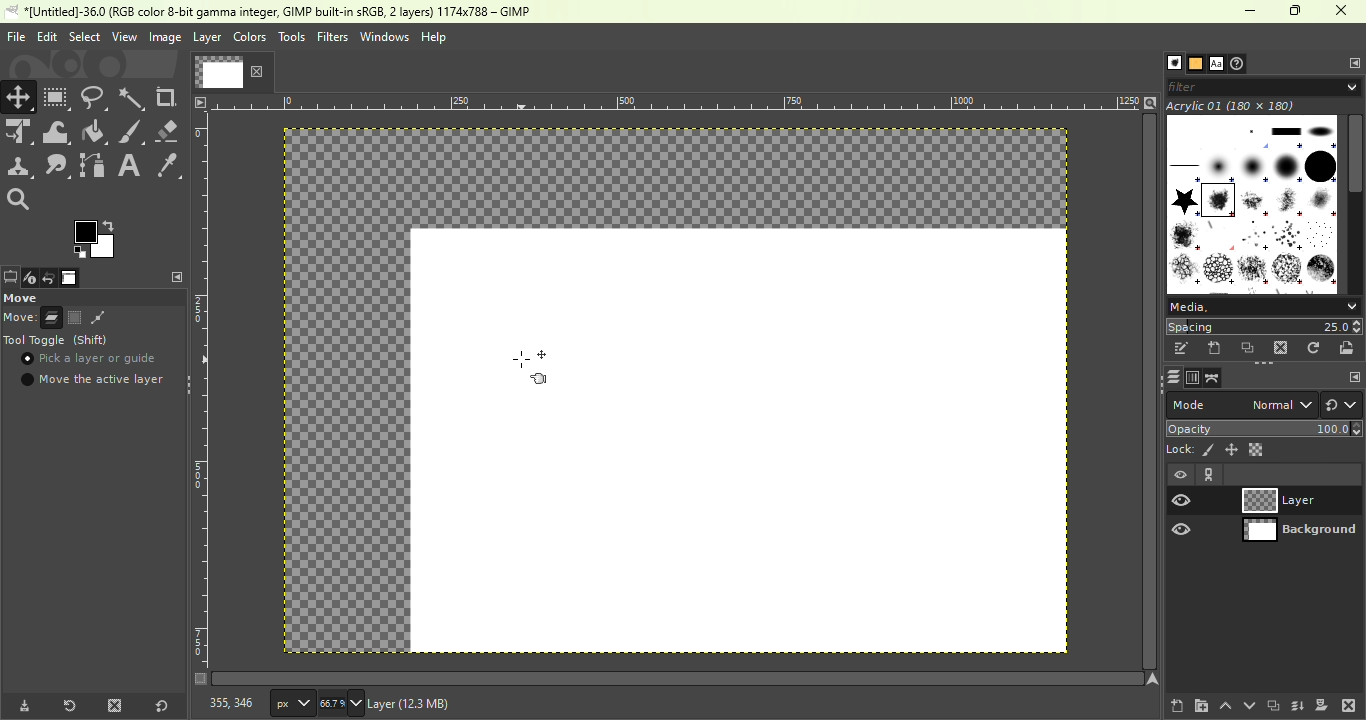 The image size is (1366, 720). Describe the element at coordinates (1181, 348) in the screenshot. I see `Edit this brush` at that location.